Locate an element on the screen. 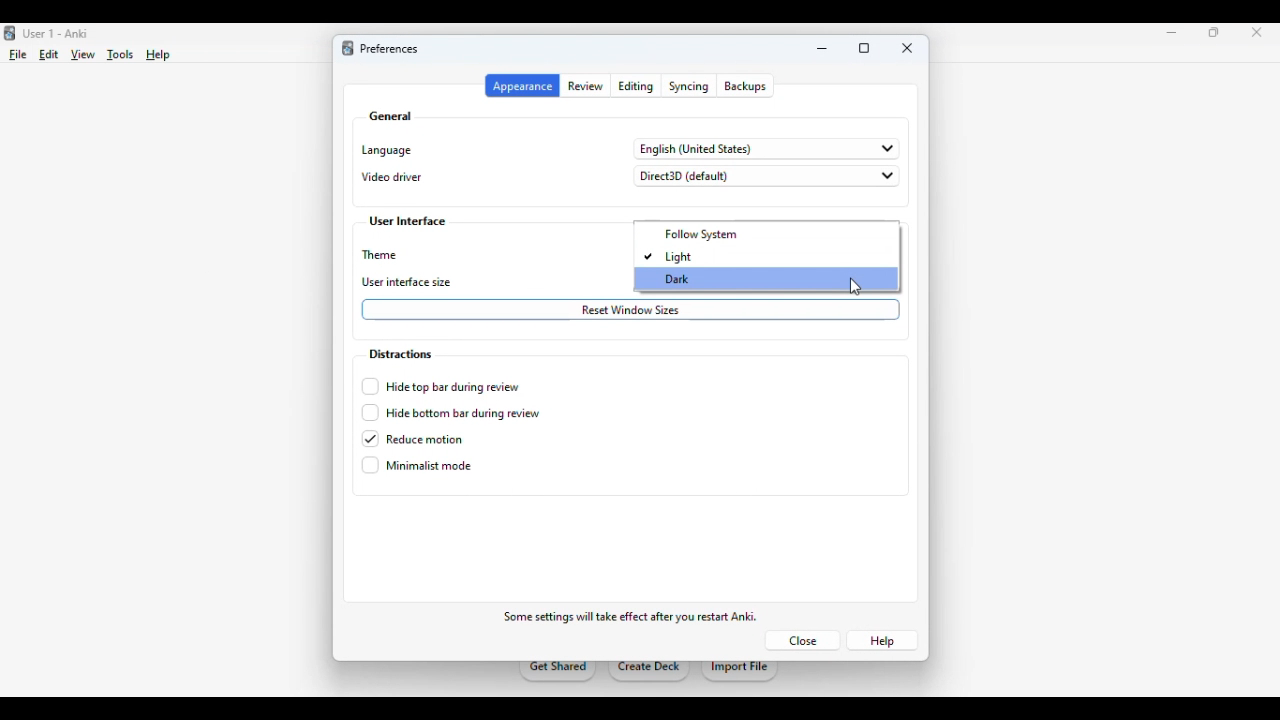  close is located at coordinates (802, 640).